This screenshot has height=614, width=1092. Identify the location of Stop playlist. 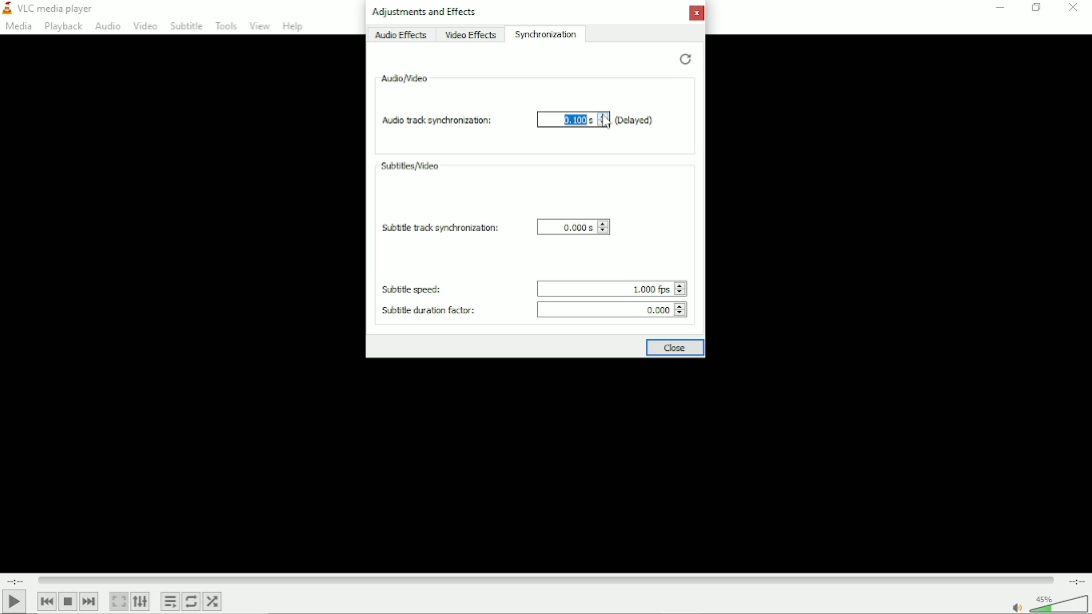
(68, 601).